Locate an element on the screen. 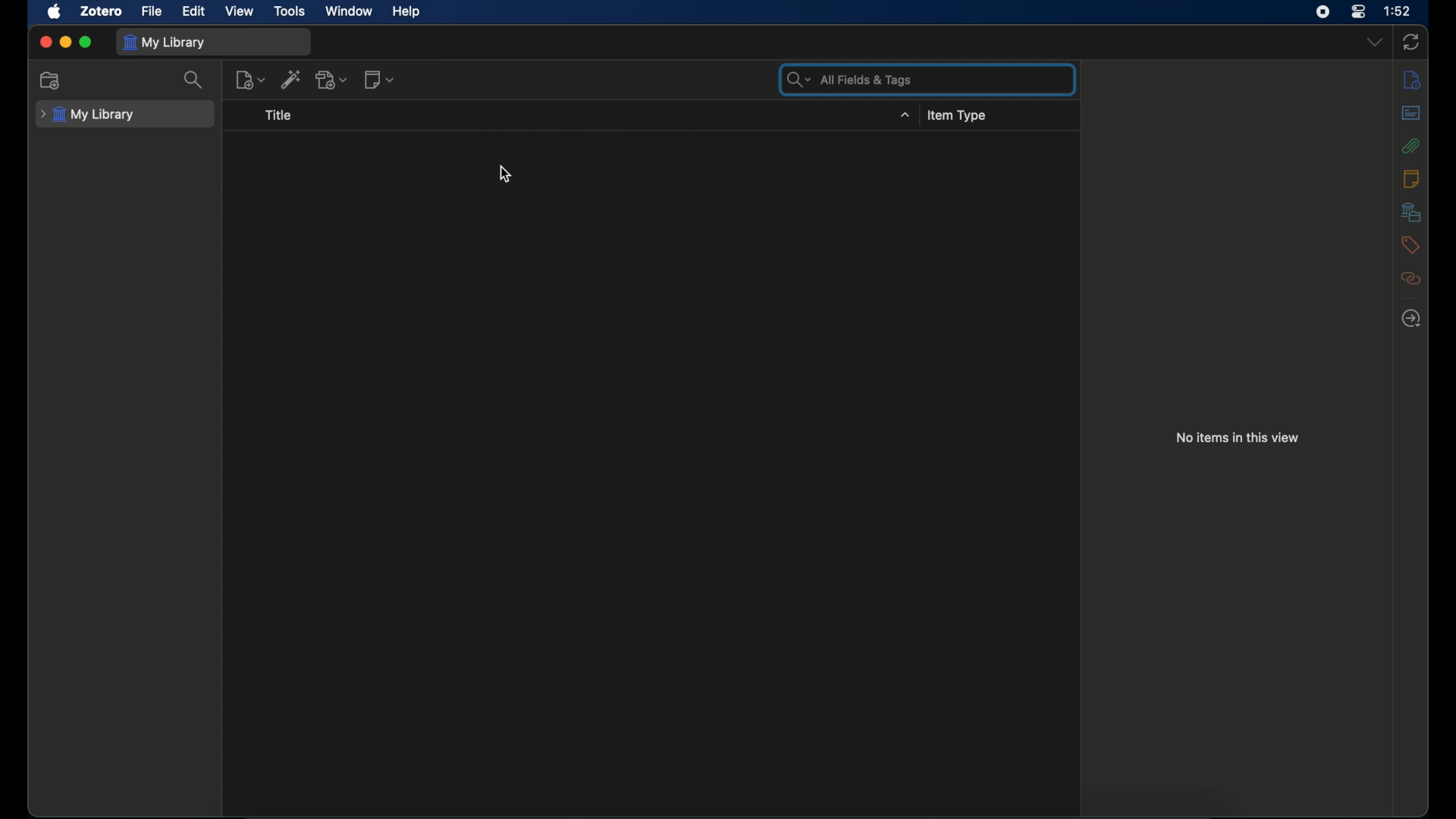 This screenshot has width=1456, height=819. time is located at coordinates (1398, 11).